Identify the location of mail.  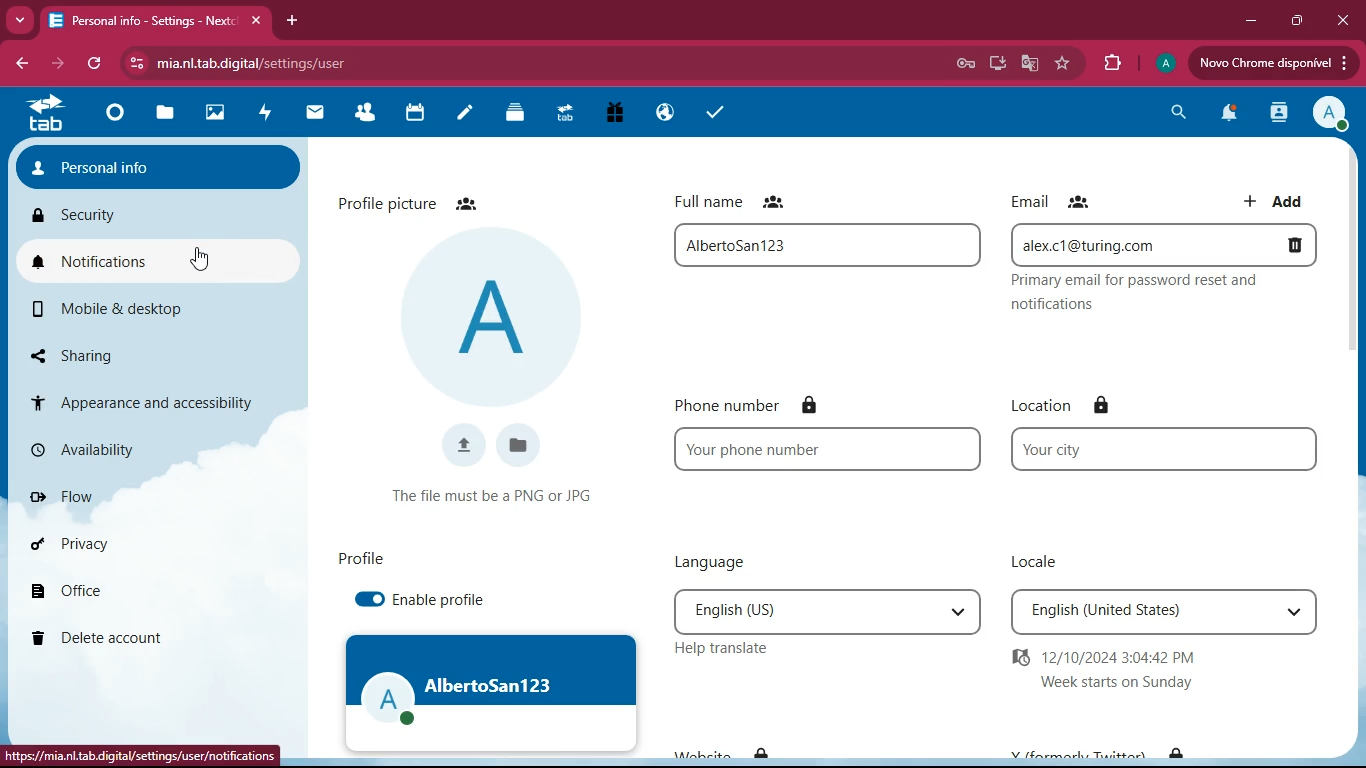
(318, 118).